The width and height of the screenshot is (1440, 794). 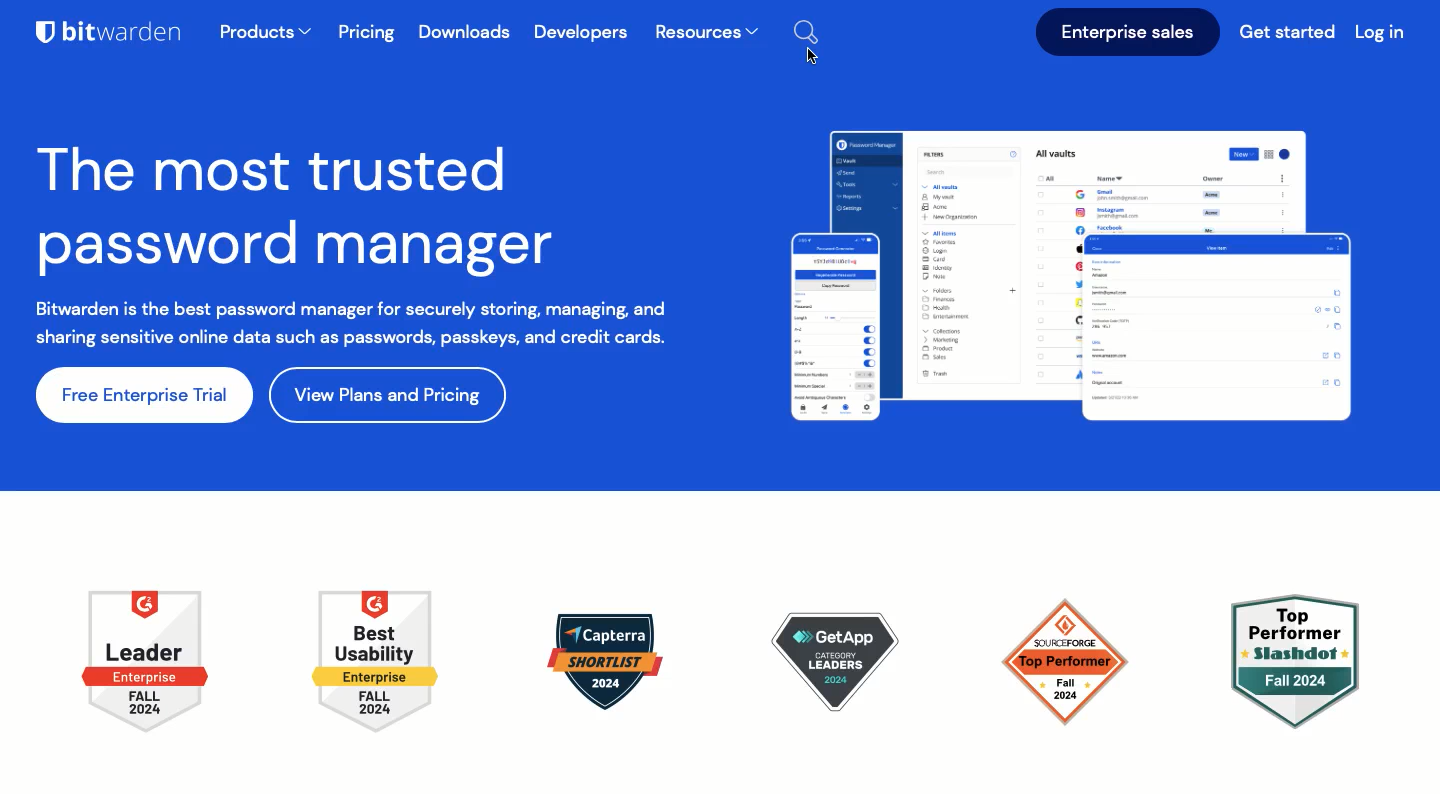 I want to click on tabs displayed, so click(x=1078, y=272).